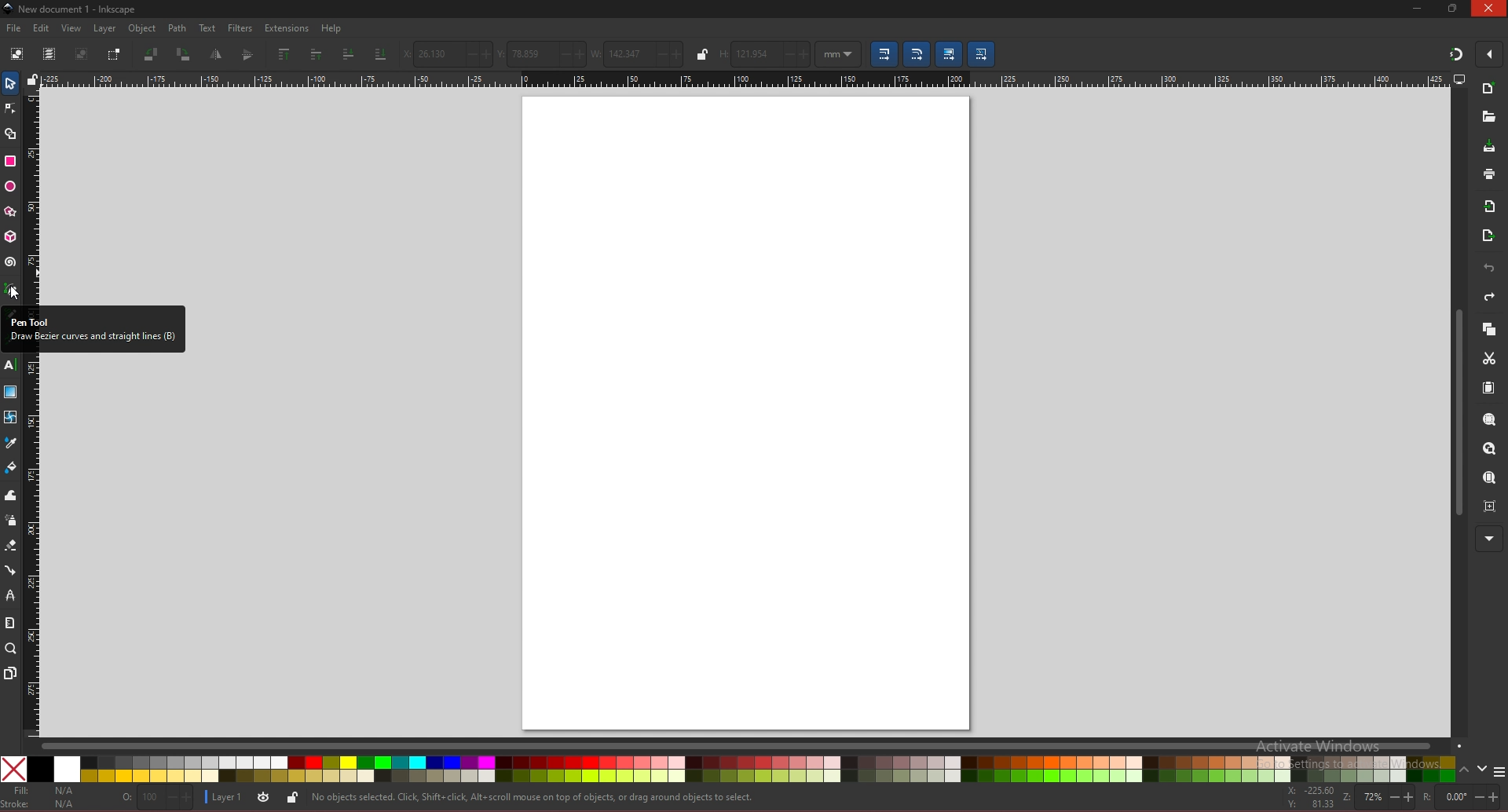 Image resolution: width=1508 pixels, height=812 pixels. I want to click on stars and polygons, so click(11, 212).